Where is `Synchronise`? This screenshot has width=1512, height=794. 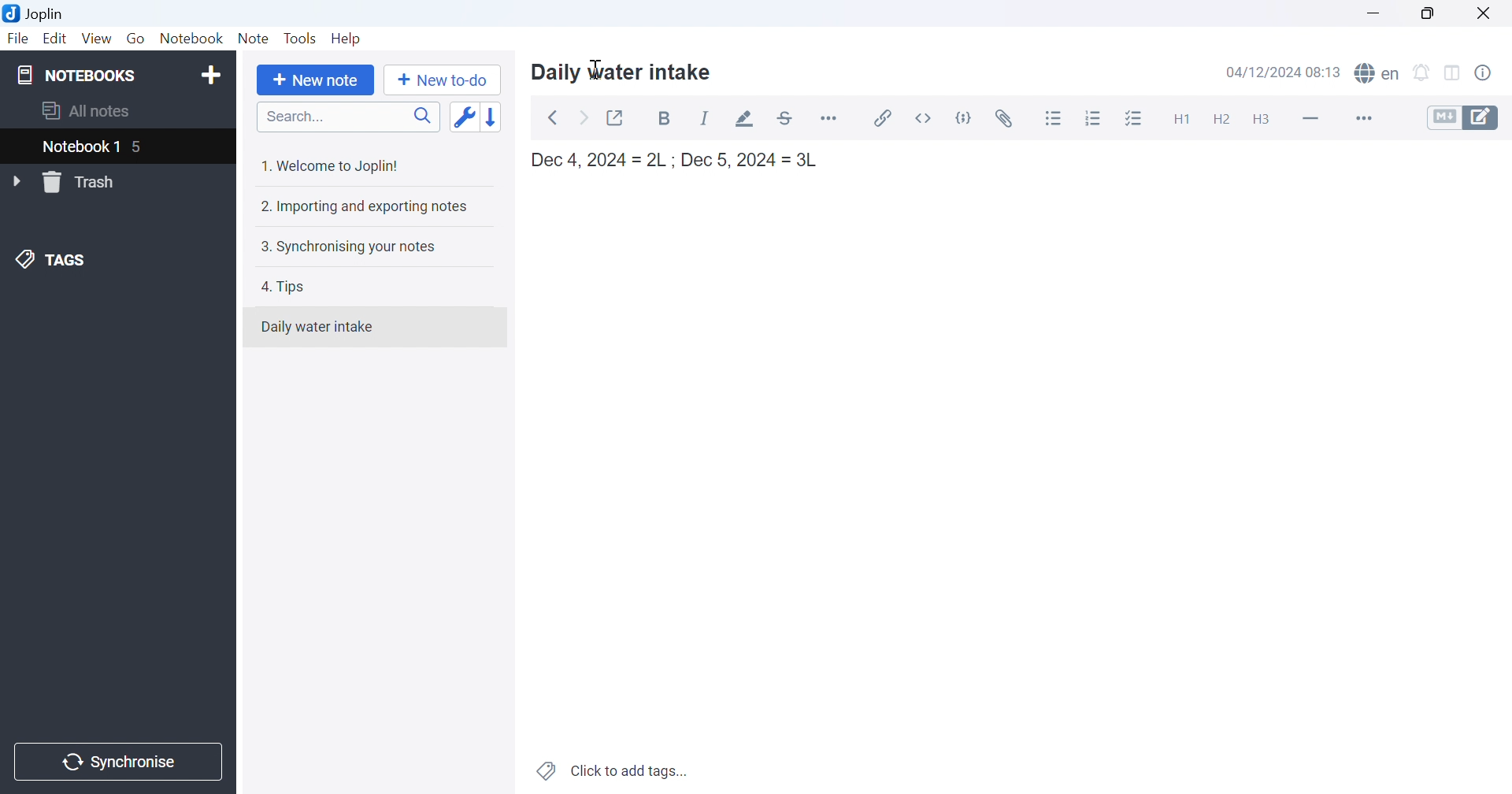
Synchronise is located at coordinates (120, 761).